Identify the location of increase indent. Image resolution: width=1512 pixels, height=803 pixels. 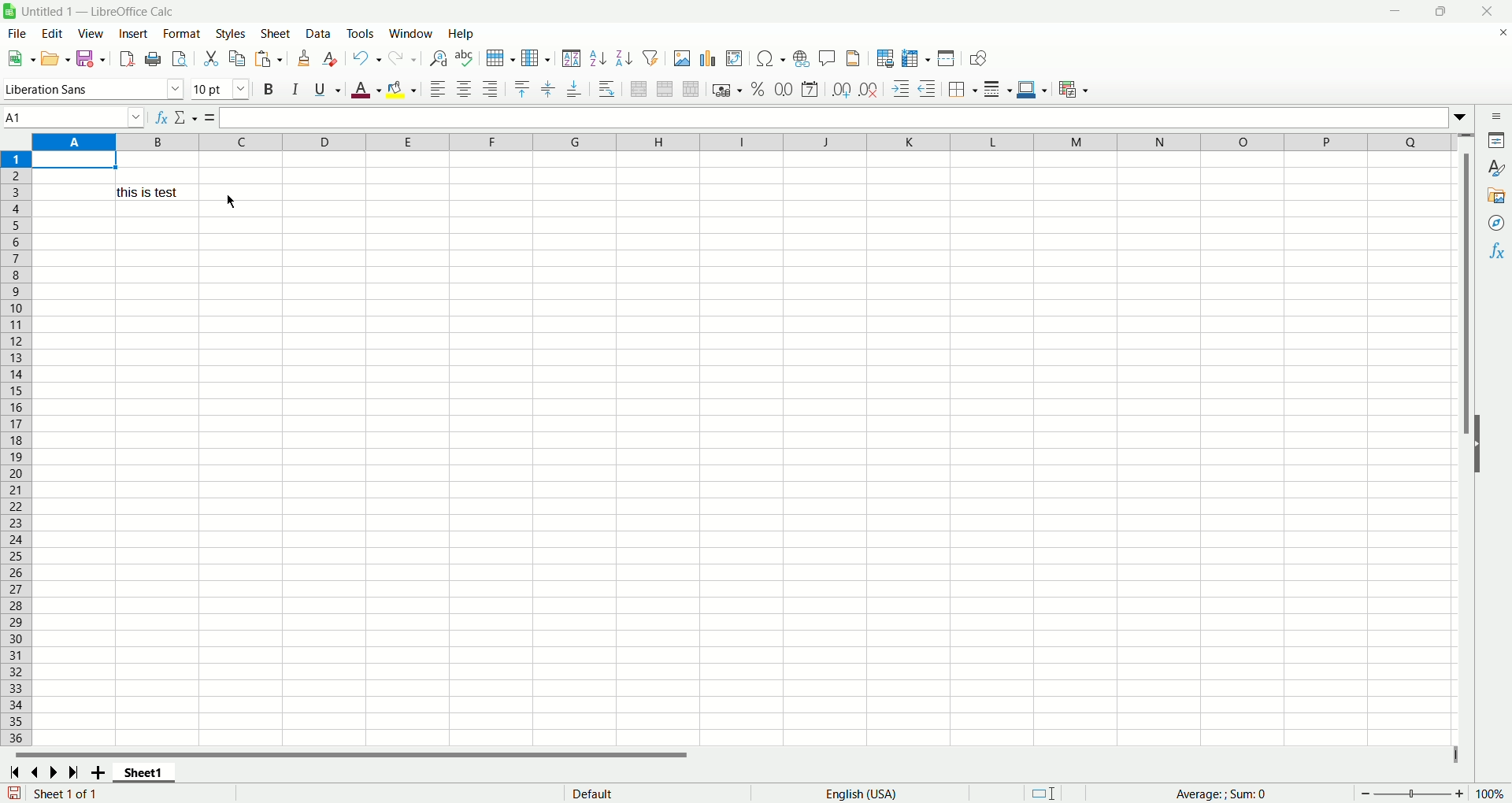
(902, 88).